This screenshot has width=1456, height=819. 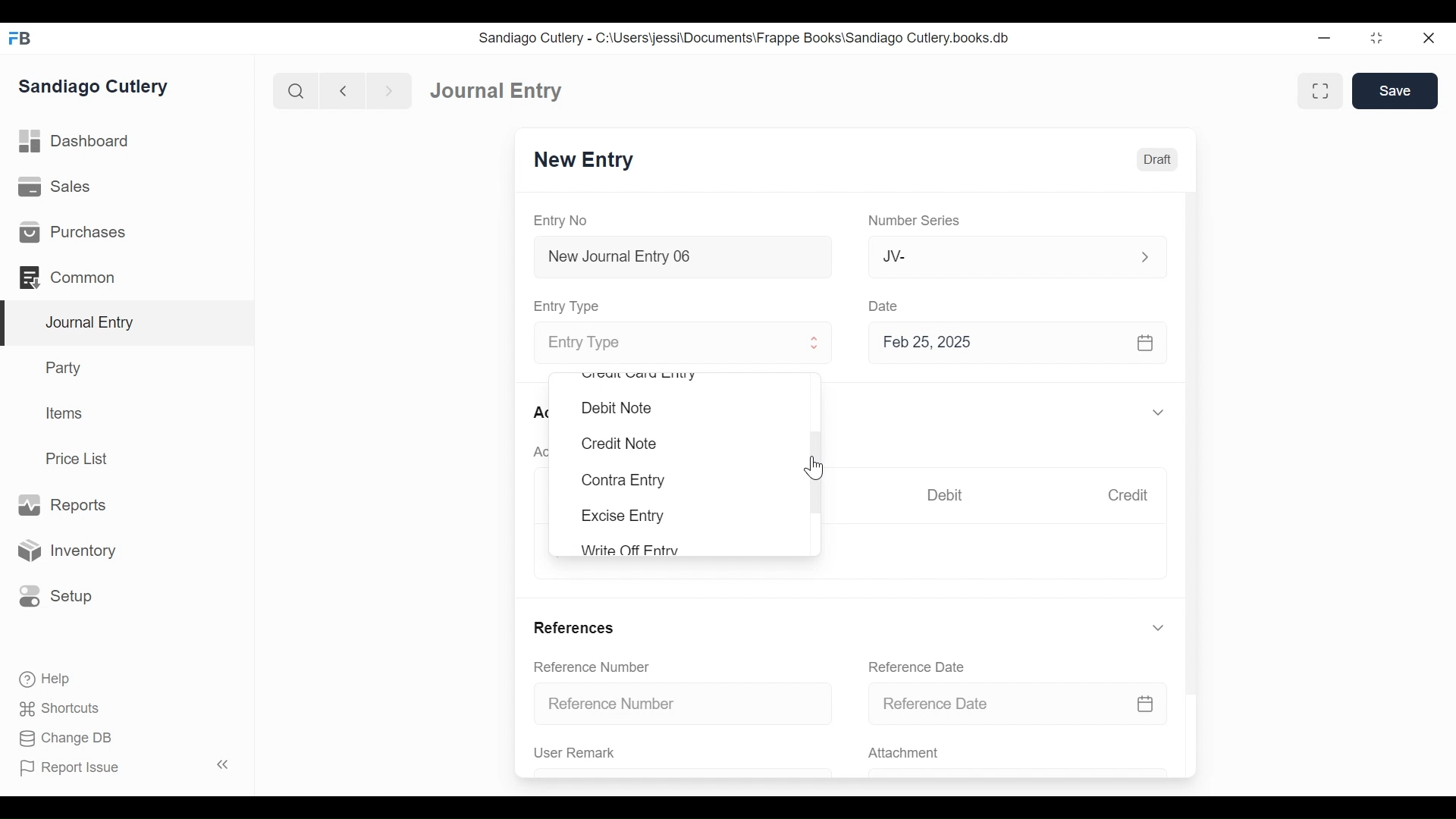 I want to click on Debit Note, so click(x=617, y=408).